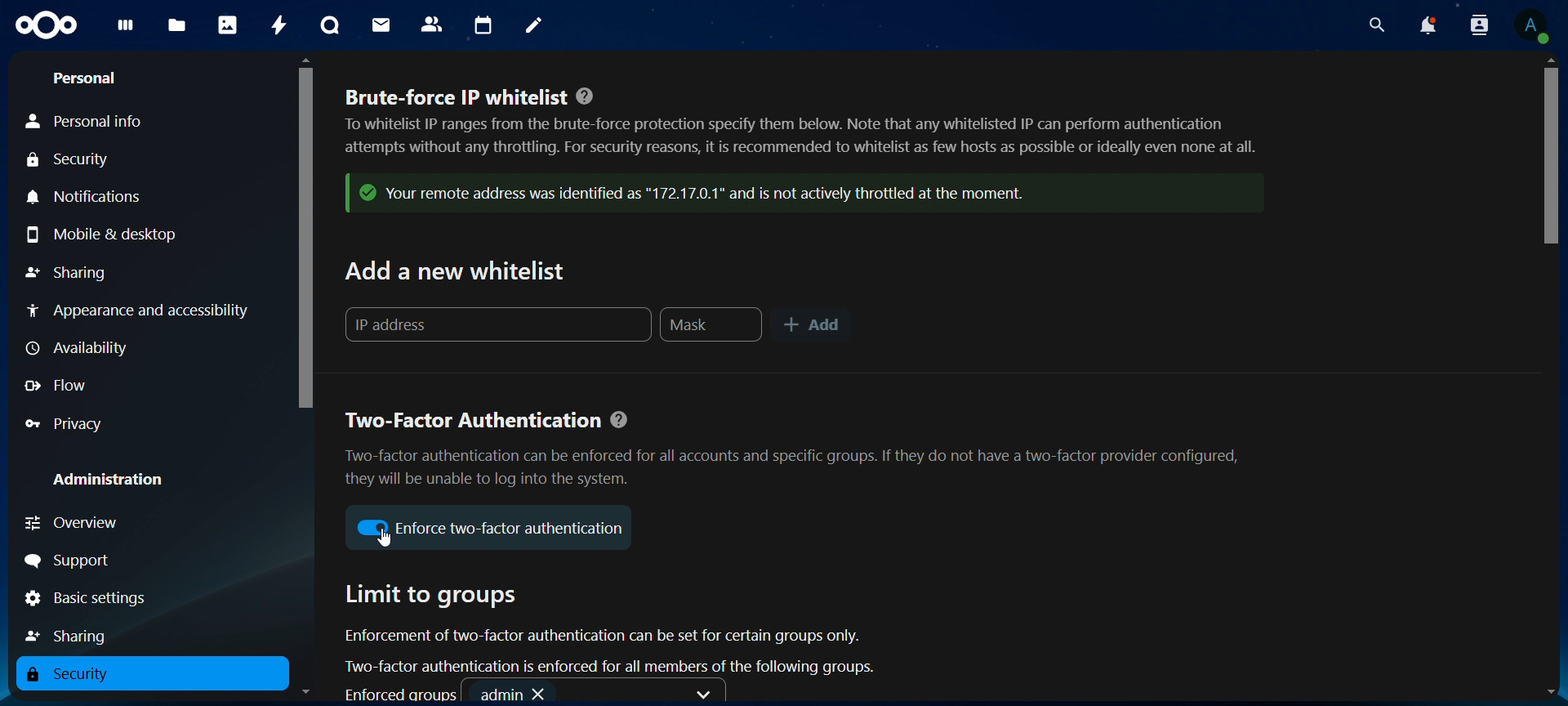 This screenshot has width=1568, height=706. What do you see at coordinates (68, 272) in the screenshot?
I see `sharing` at bounding box center [68, 272].